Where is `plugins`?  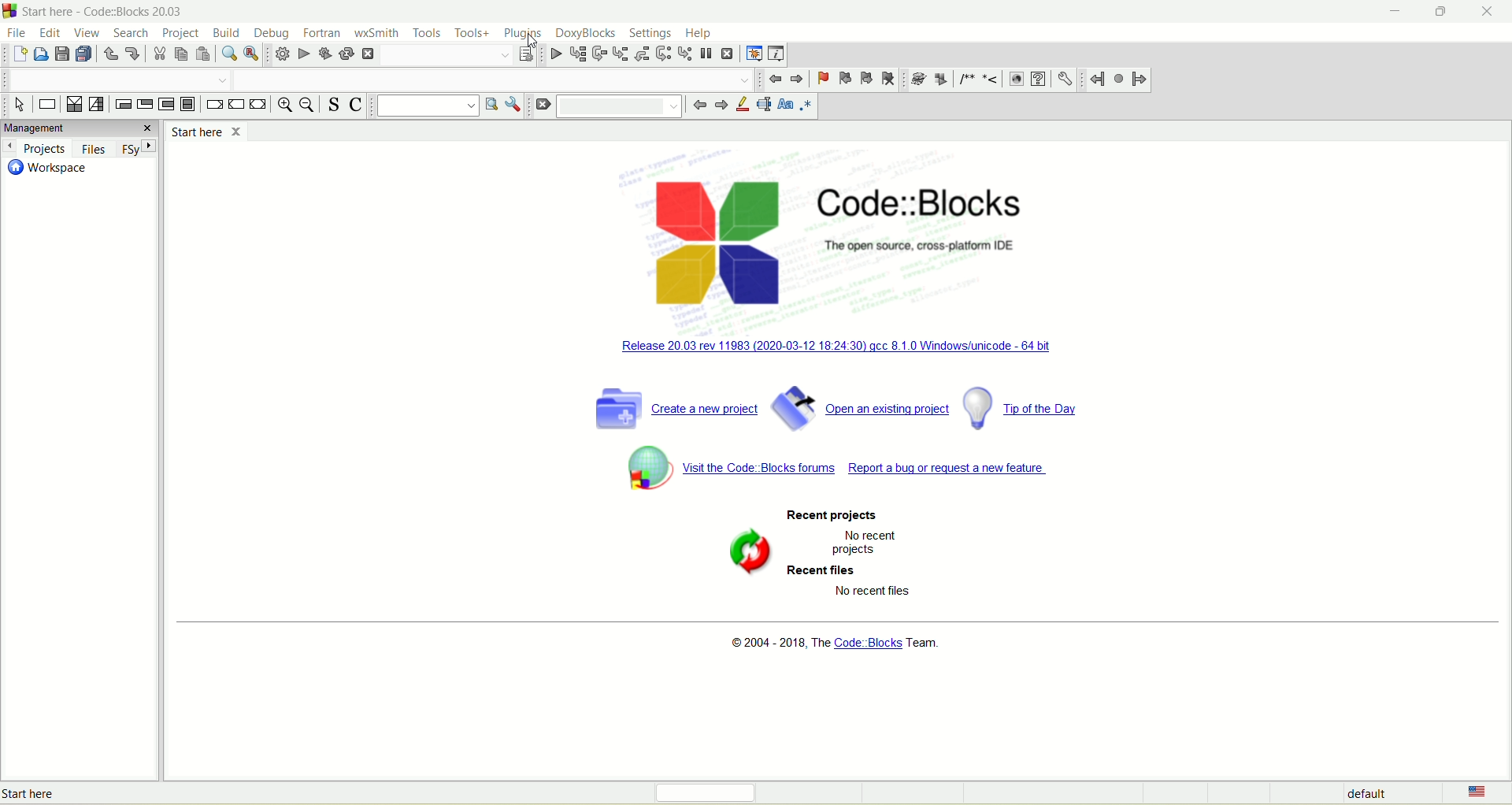 plugins is located at coordinates (525, 32).